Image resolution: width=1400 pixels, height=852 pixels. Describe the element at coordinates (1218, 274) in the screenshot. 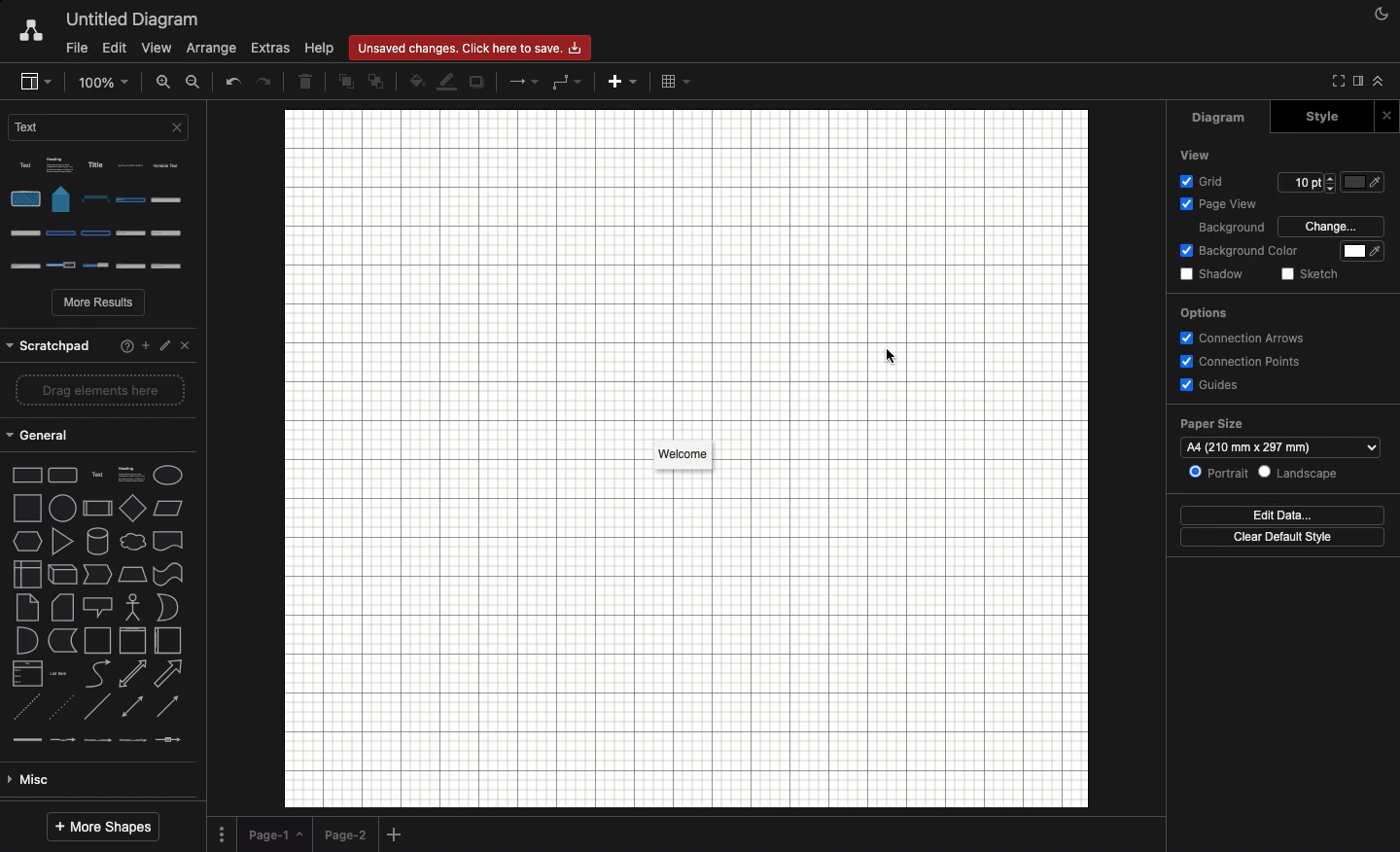

I see `shadow` at that location.